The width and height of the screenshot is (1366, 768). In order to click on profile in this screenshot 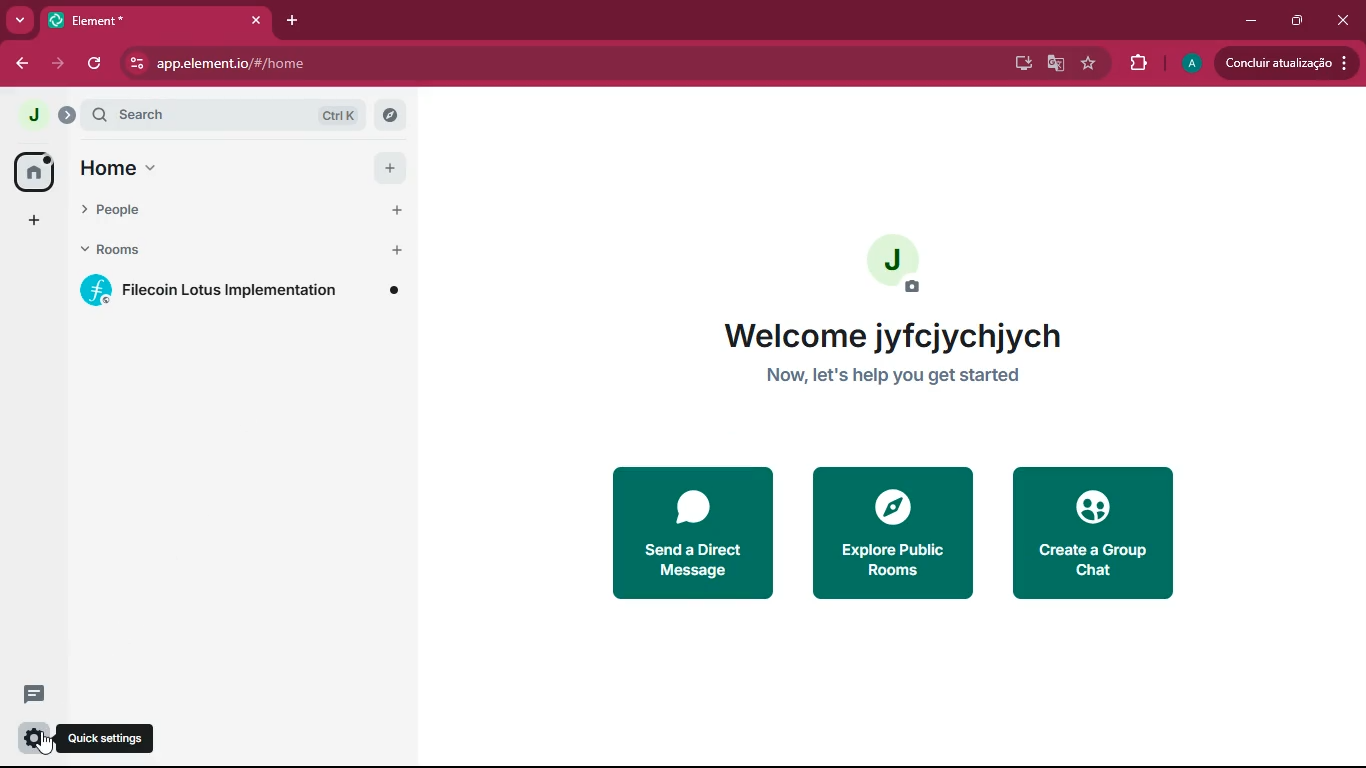, I will do `click(1189, 64)`.